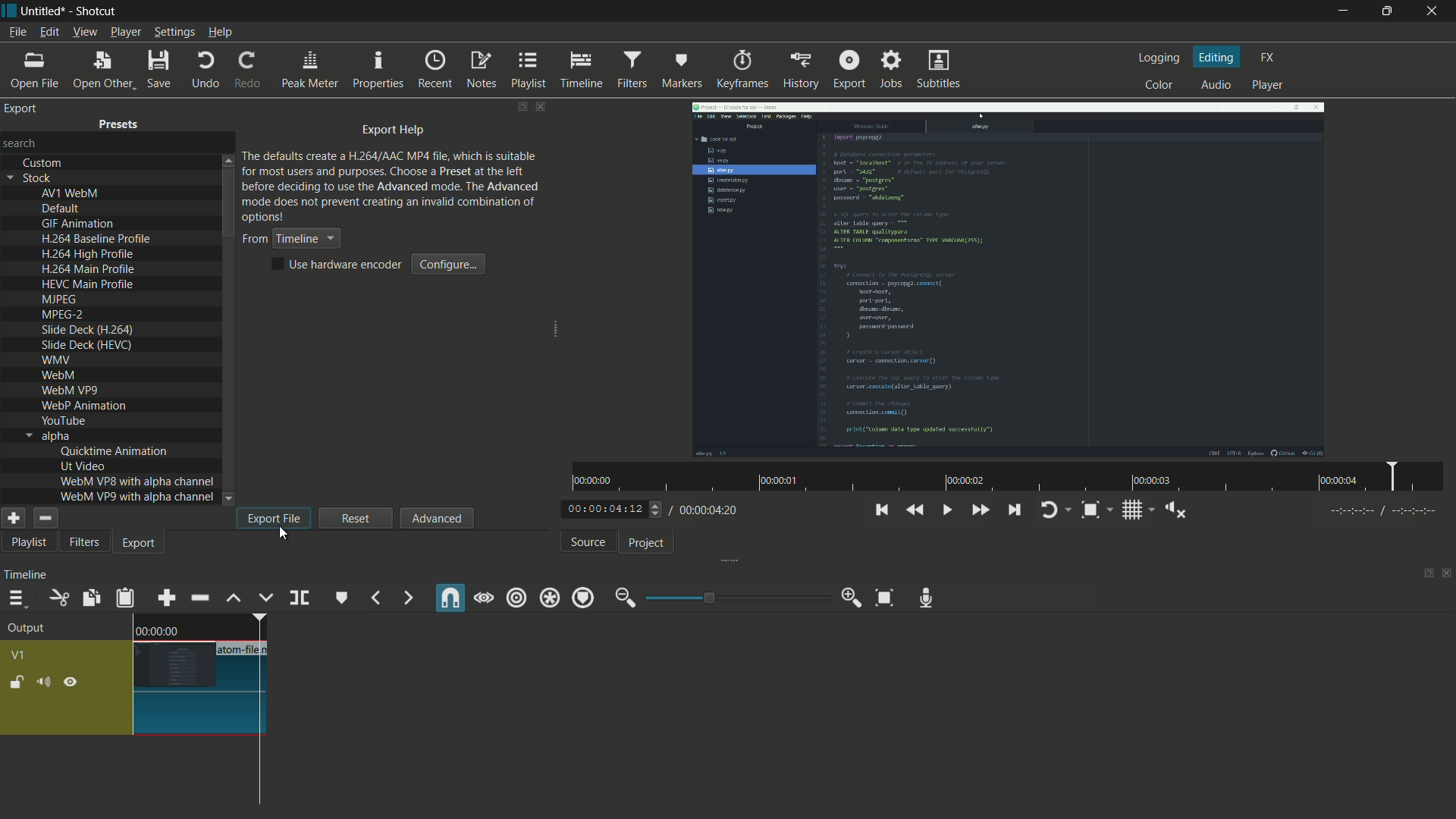 The width and height of the screenshot is (1456, 819). What do you see at coordinates (435, 518) in the screenshot?
I see `advanced` at bounding box center [435, 518].